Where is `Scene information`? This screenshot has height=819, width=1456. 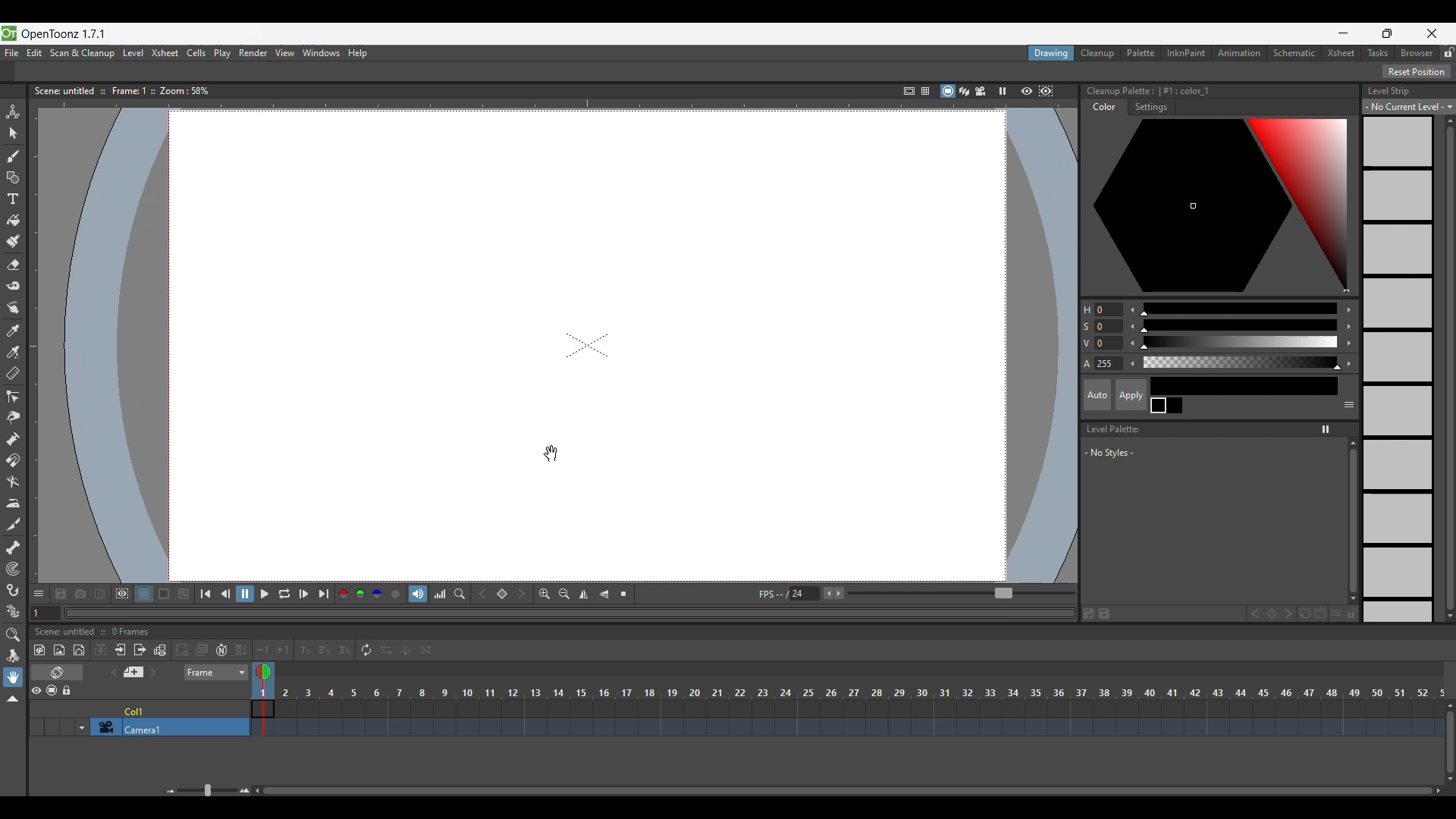 Scene information is located at coordinates (123, 91).